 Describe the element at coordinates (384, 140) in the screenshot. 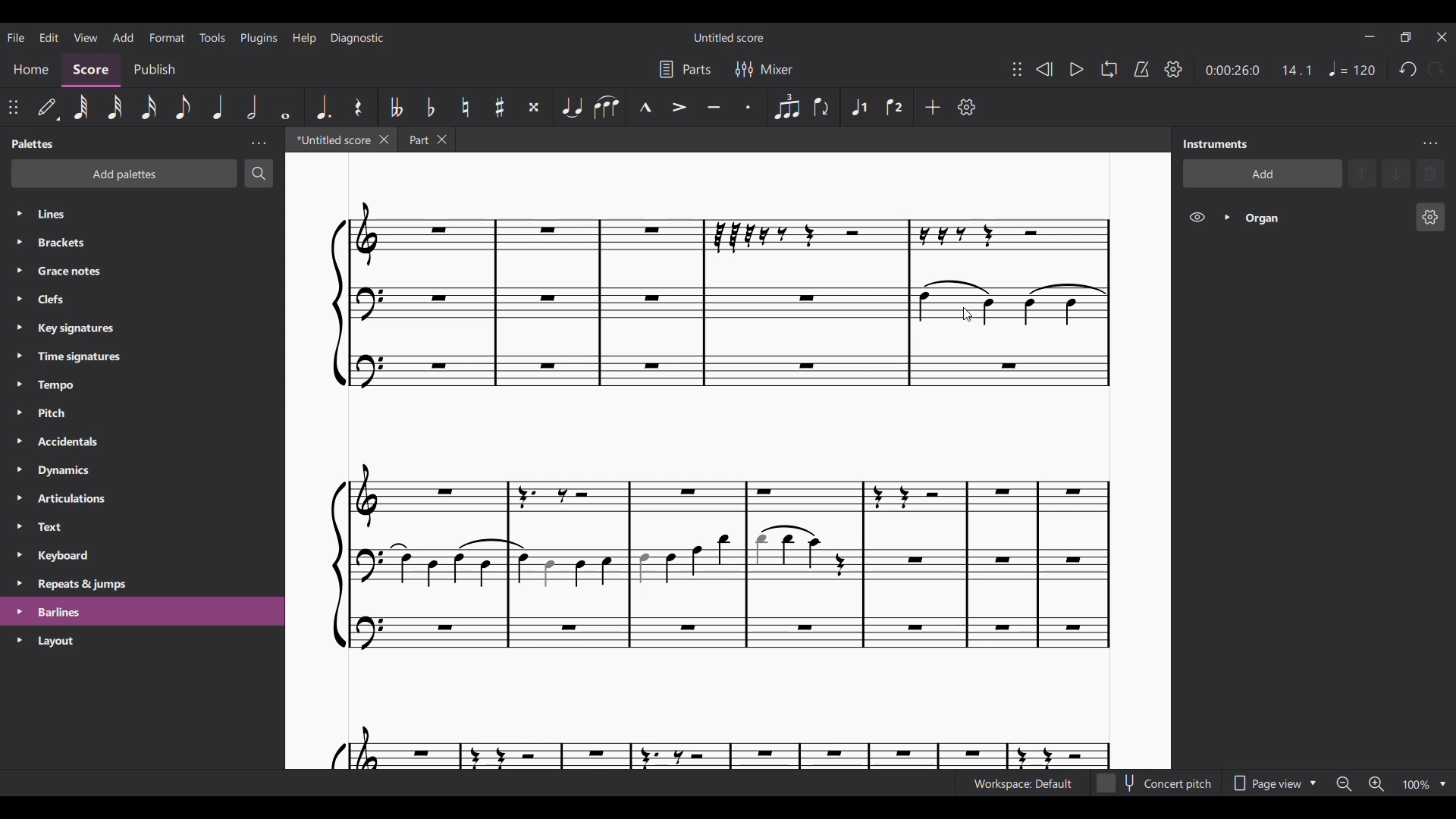

I see `Close current tab` at that location.